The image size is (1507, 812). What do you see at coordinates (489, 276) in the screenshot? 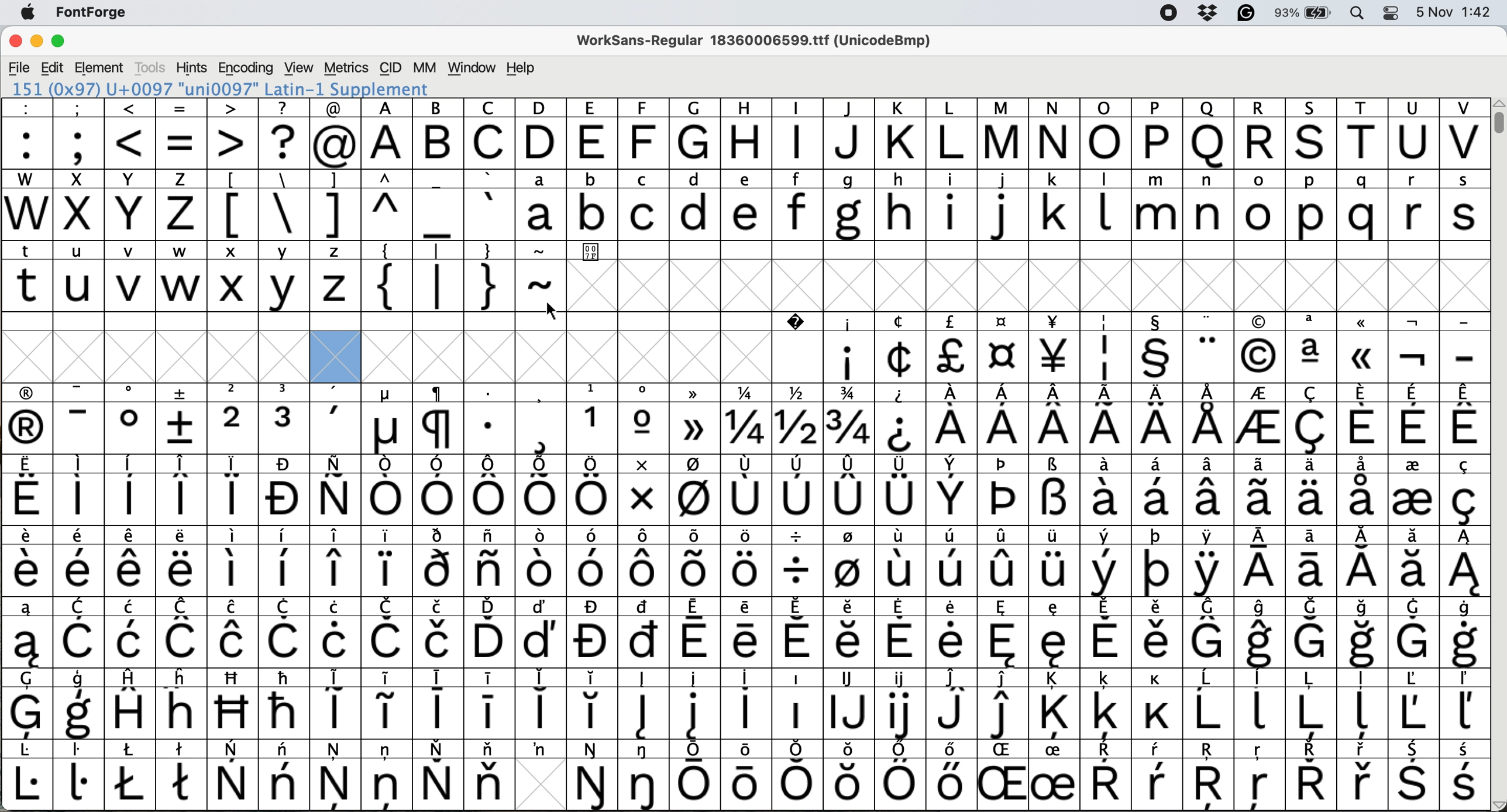
I see `}` at bounding box center [489, 276].